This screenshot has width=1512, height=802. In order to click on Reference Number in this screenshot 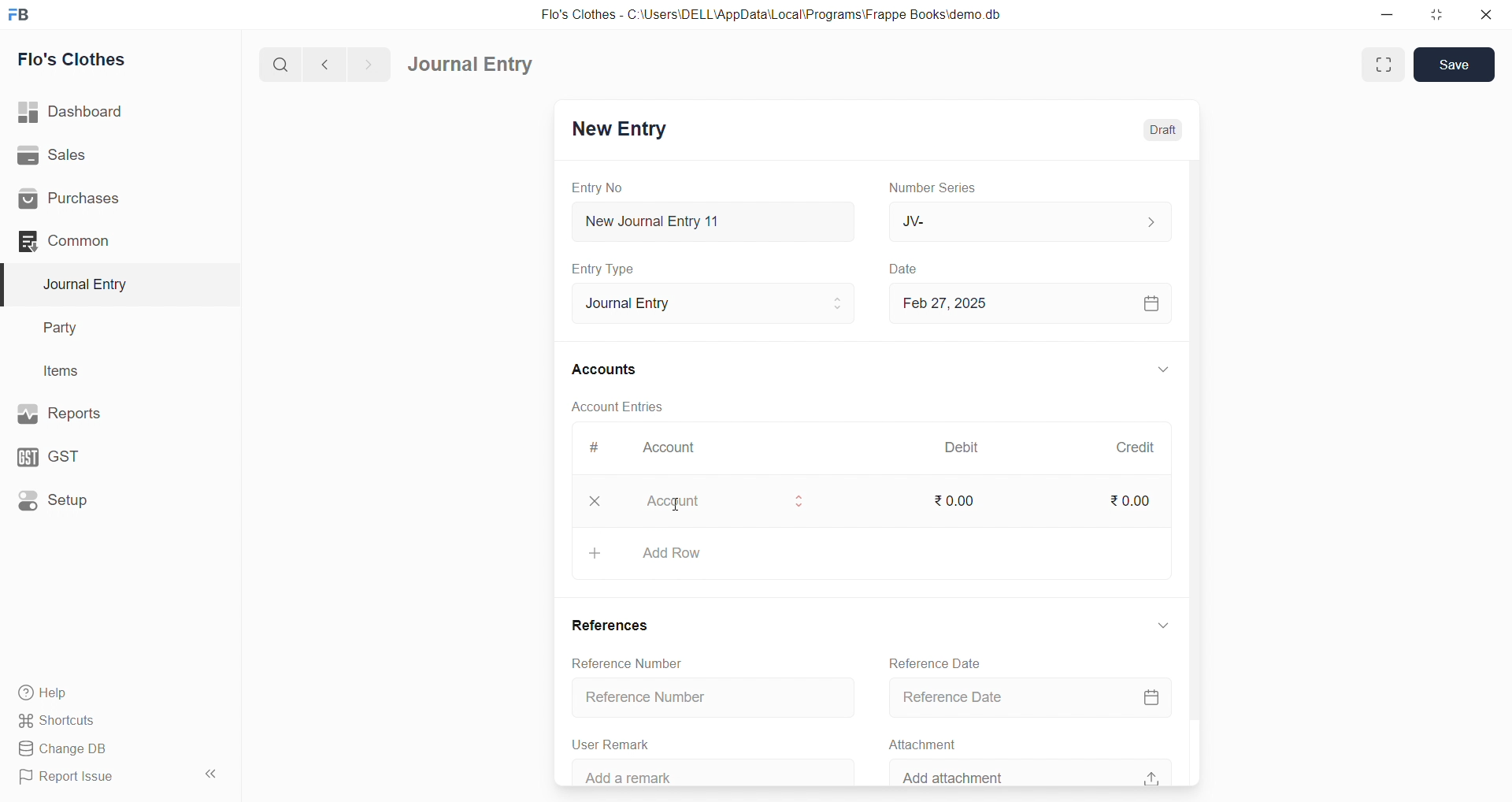, I will do `click(713, 694)`.